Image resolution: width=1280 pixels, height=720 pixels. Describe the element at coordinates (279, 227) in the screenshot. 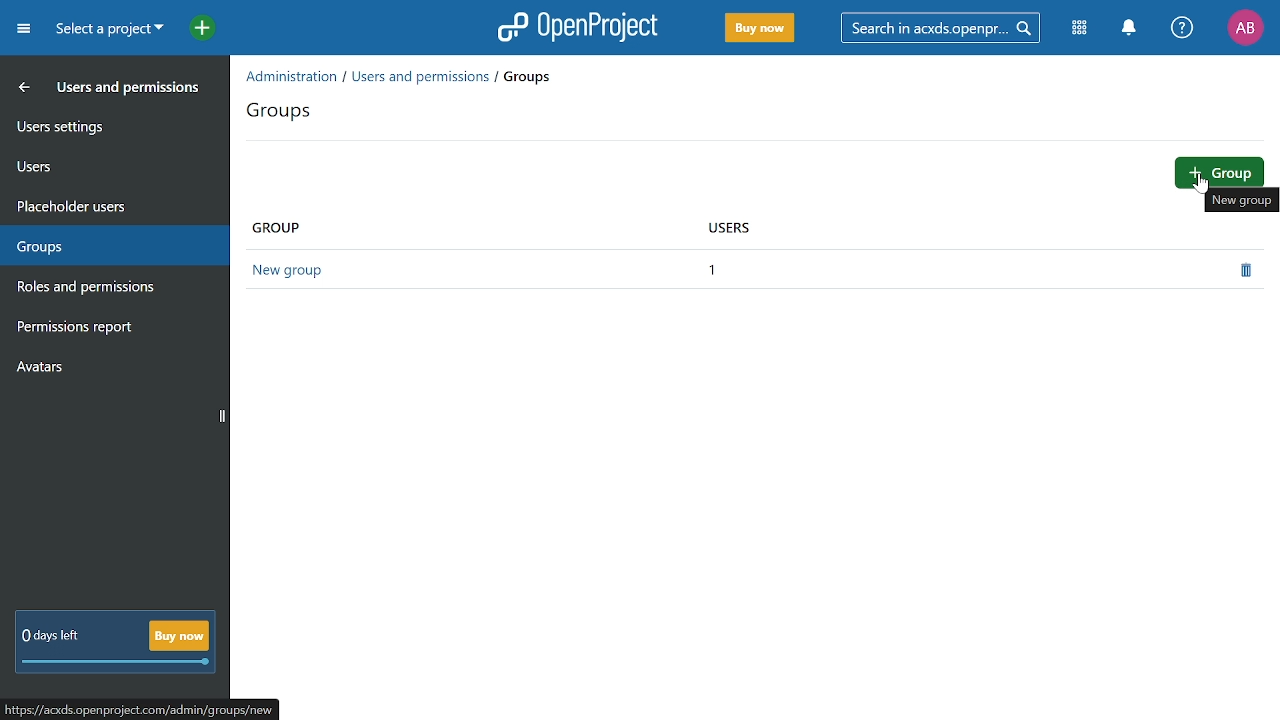

I see `group` at that location.